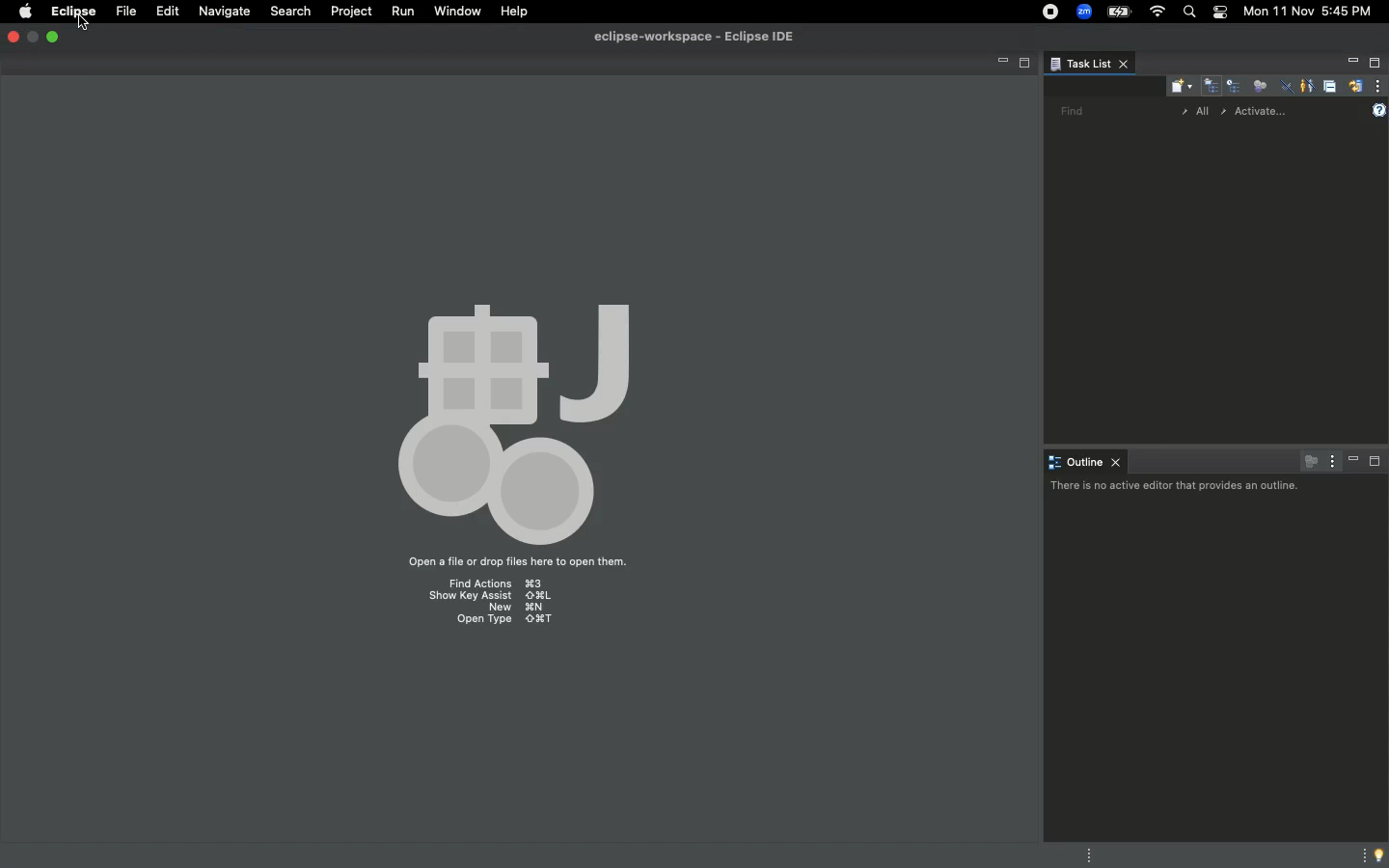  What do you see at coordinates (290, 10) in the screenshot?
I see `Search` at bounding box center [290, 10].